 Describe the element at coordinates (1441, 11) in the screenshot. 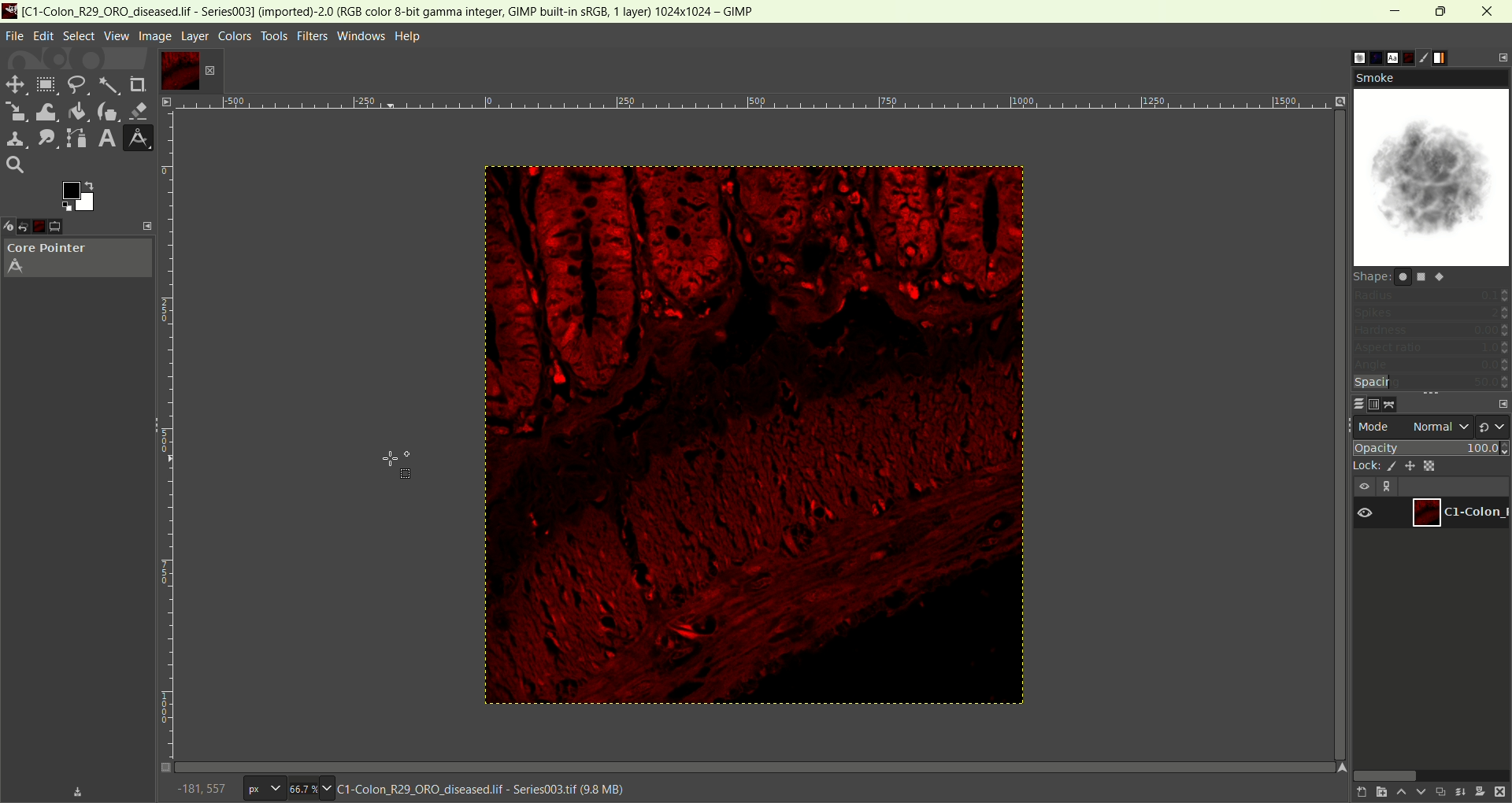

I see `maximize` at that location.